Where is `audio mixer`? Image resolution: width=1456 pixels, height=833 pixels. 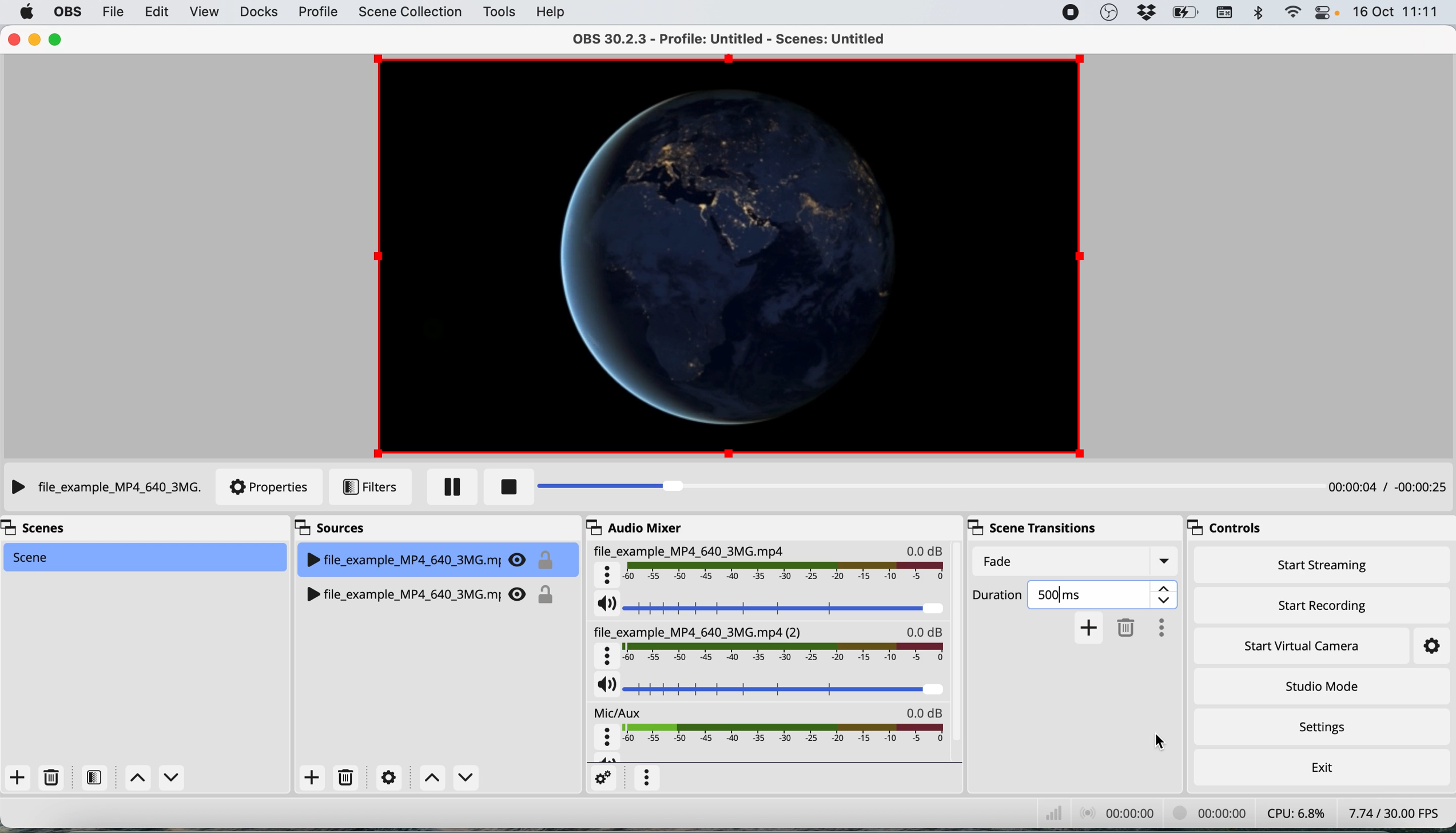 audio mixer is located at coordinates (645, 529).